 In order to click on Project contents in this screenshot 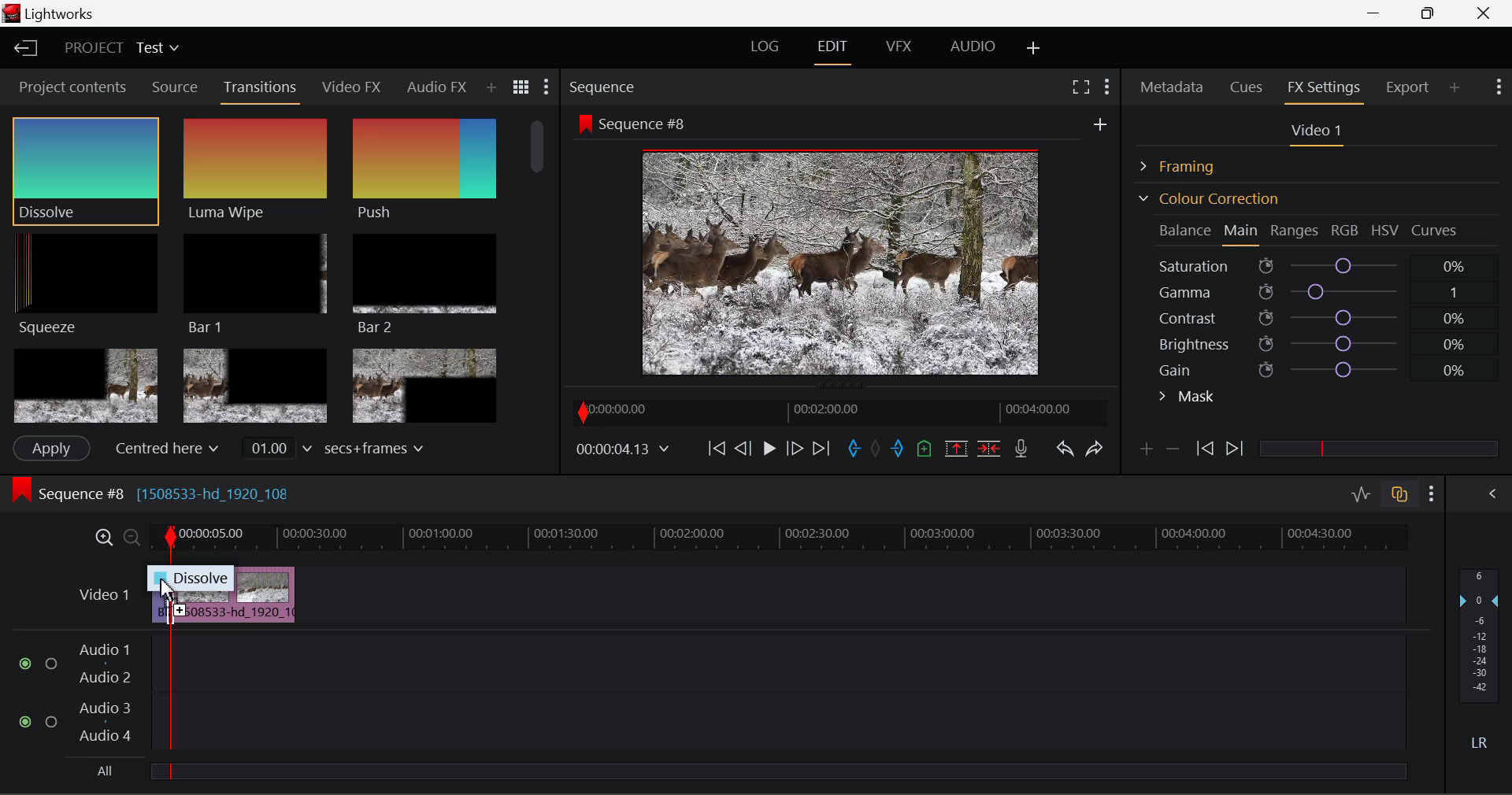, I will do `click(72, 91)`.